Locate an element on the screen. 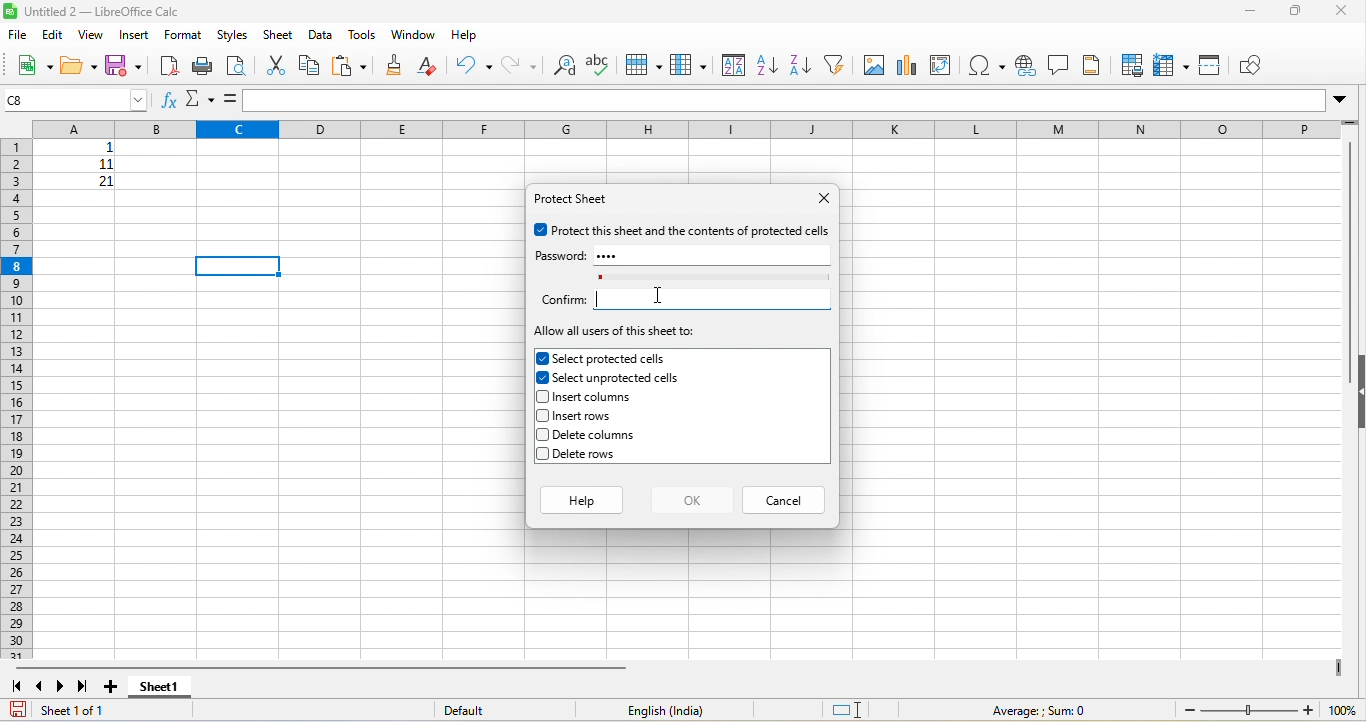  = is located at coordinates (230, 99).